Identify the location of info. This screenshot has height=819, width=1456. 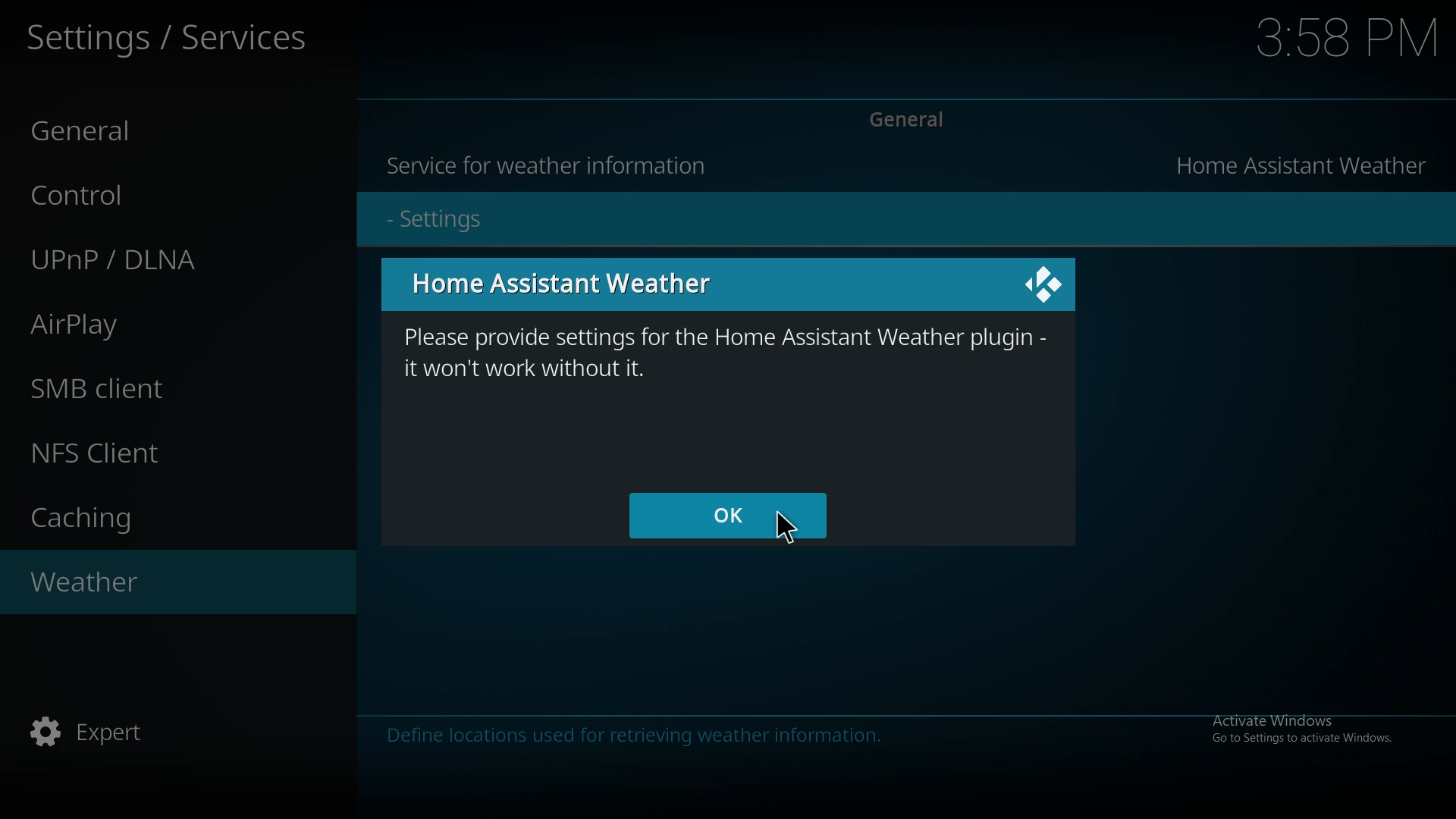
(720, 735).